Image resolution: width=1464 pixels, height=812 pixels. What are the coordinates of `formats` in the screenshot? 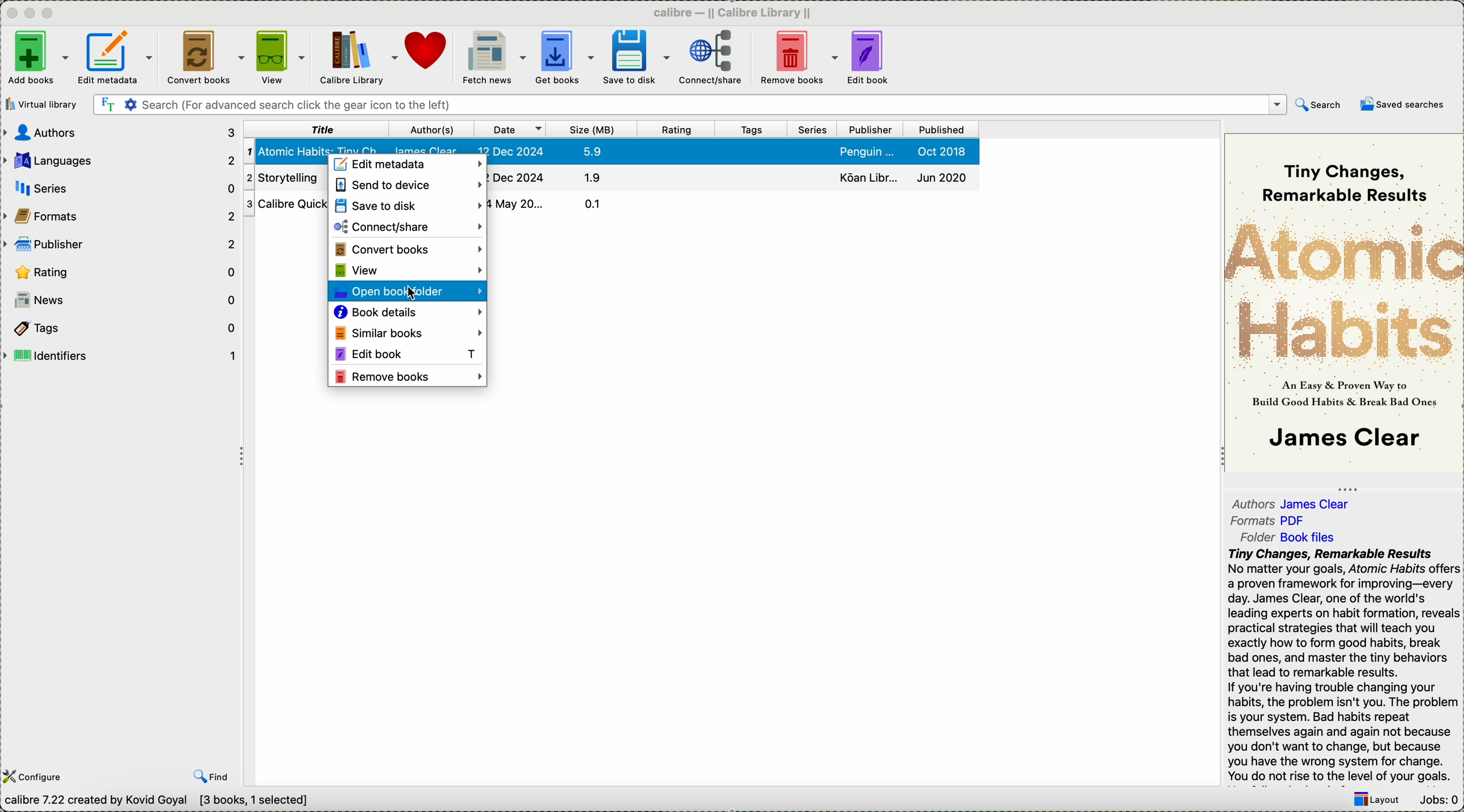 It's located at (1271, 521).